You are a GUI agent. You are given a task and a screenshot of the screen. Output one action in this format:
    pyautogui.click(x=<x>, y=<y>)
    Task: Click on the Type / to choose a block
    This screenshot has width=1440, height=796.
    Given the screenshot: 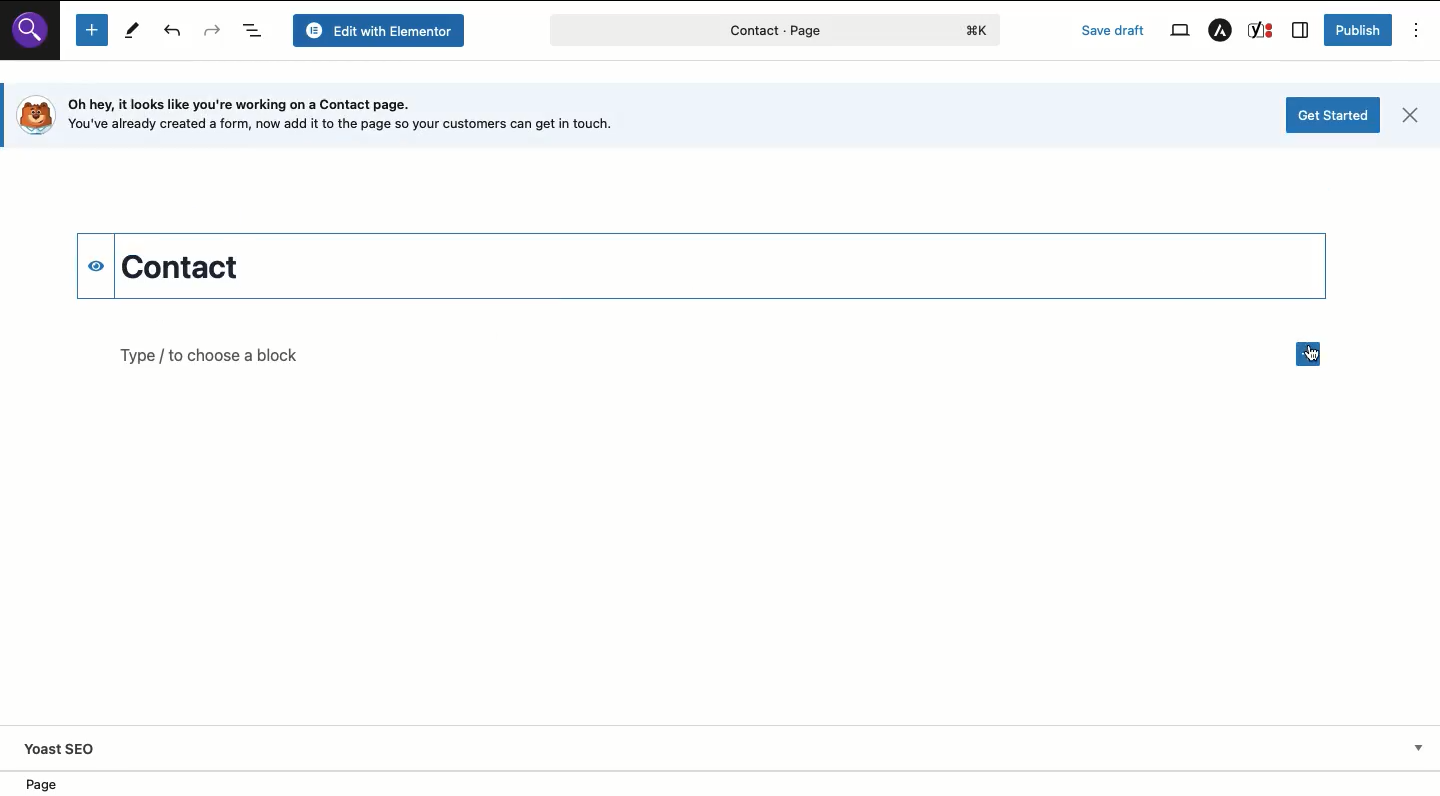 What is the action you would take?
    pyautogui.click(x=209, y=357)
    